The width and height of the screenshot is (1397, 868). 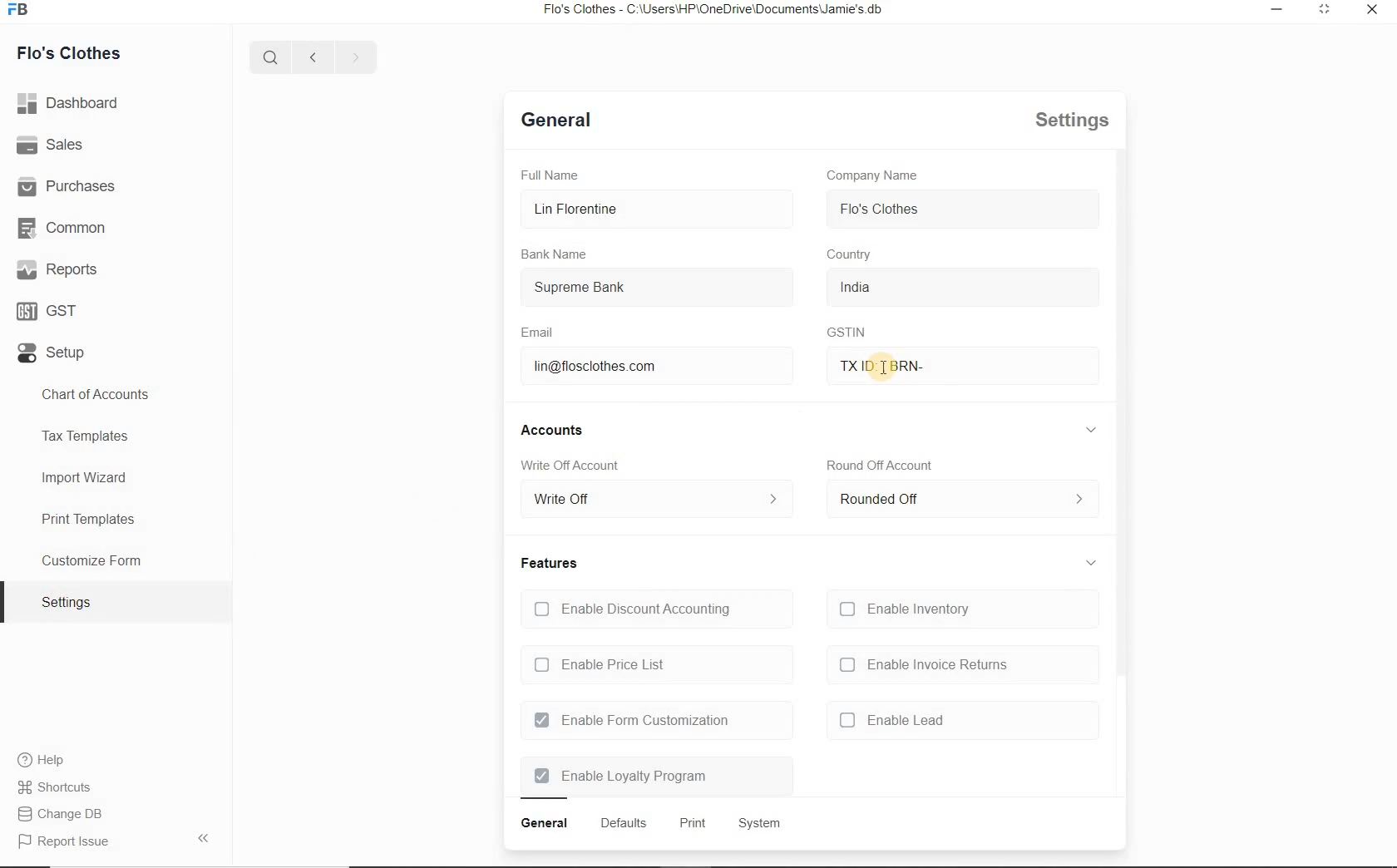 I want to click on icon, so click(x=23, y=14).